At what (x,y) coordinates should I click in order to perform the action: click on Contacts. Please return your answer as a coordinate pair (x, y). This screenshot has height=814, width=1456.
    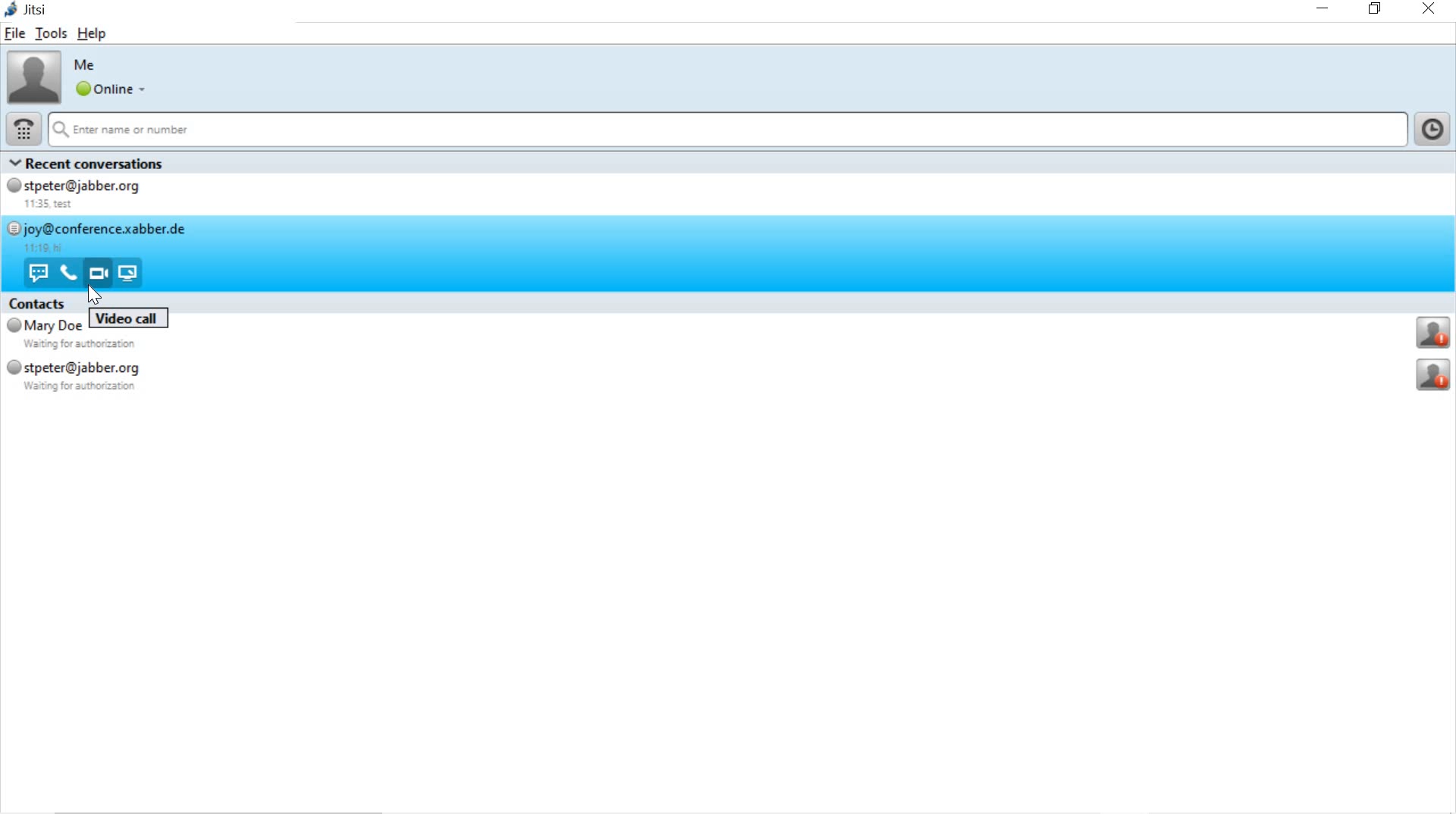
    Looking at the image, I should click on (38, 302).